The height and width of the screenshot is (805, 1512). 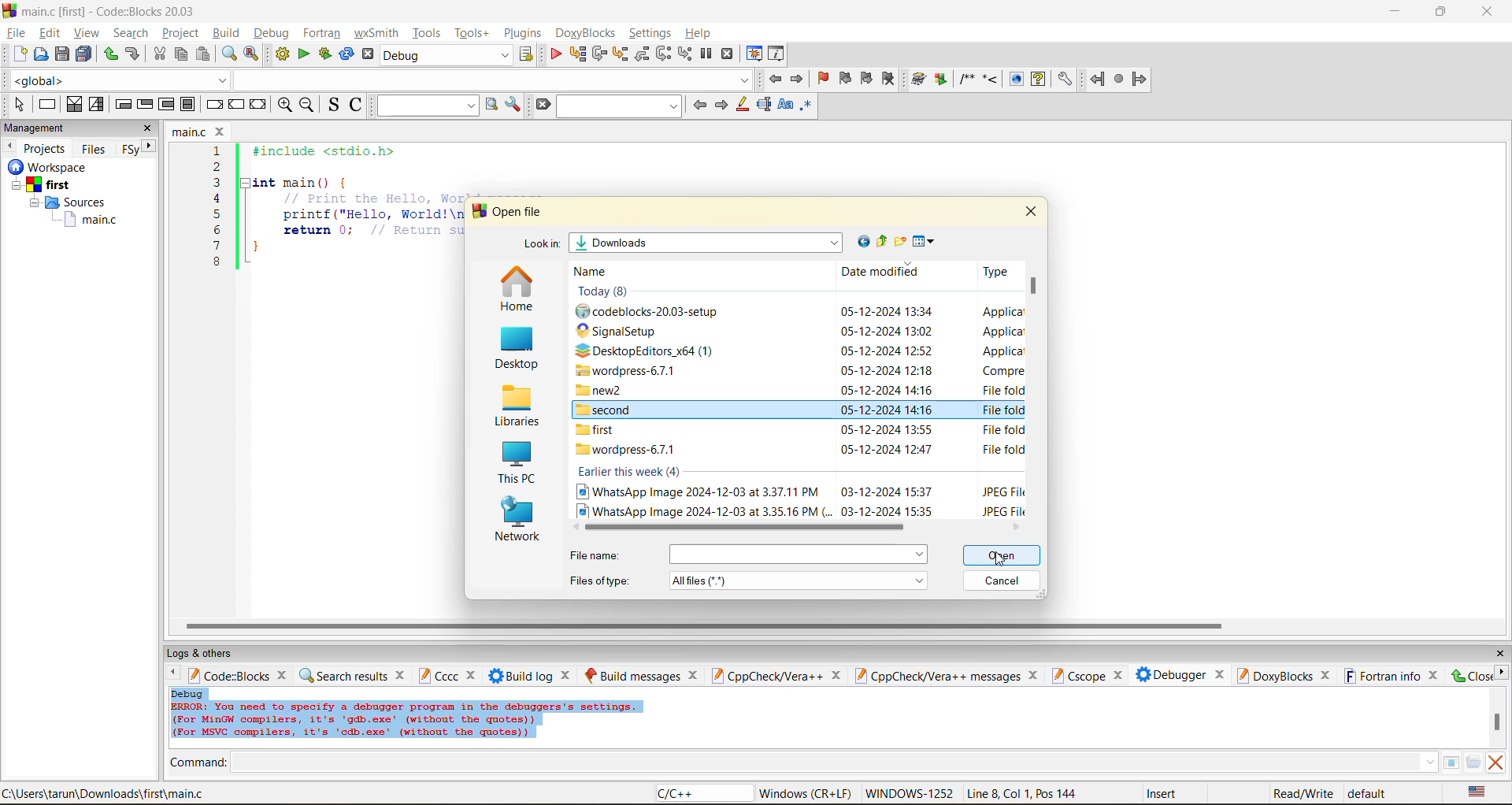 I want to click on settings, so click(x=1064, y=80).